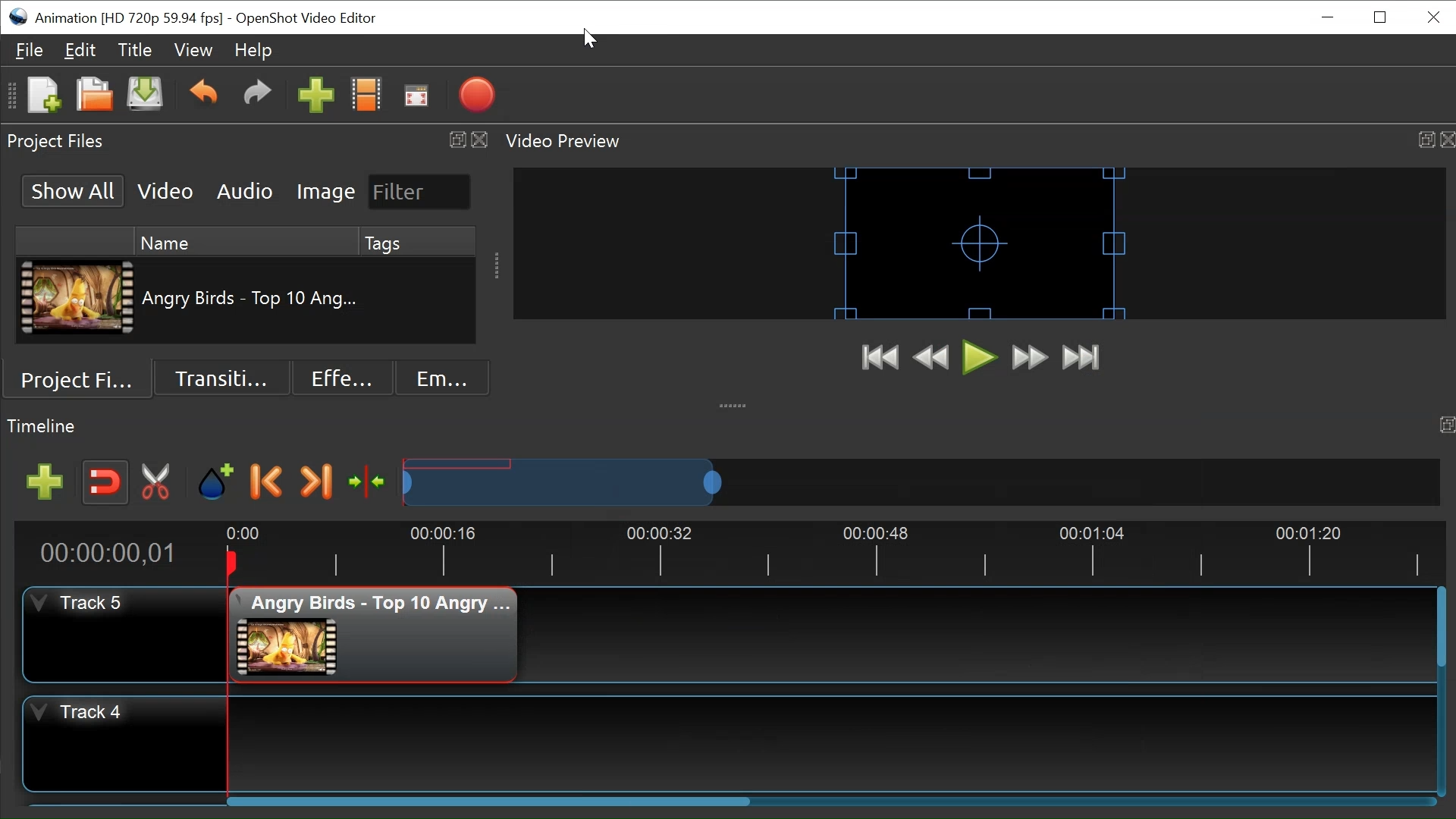 This screenshot has height=819, width=1456. What do you see at coordinates (40, 96) in the screenshot?
I see `Open Project` at bounding box center [40, 96].